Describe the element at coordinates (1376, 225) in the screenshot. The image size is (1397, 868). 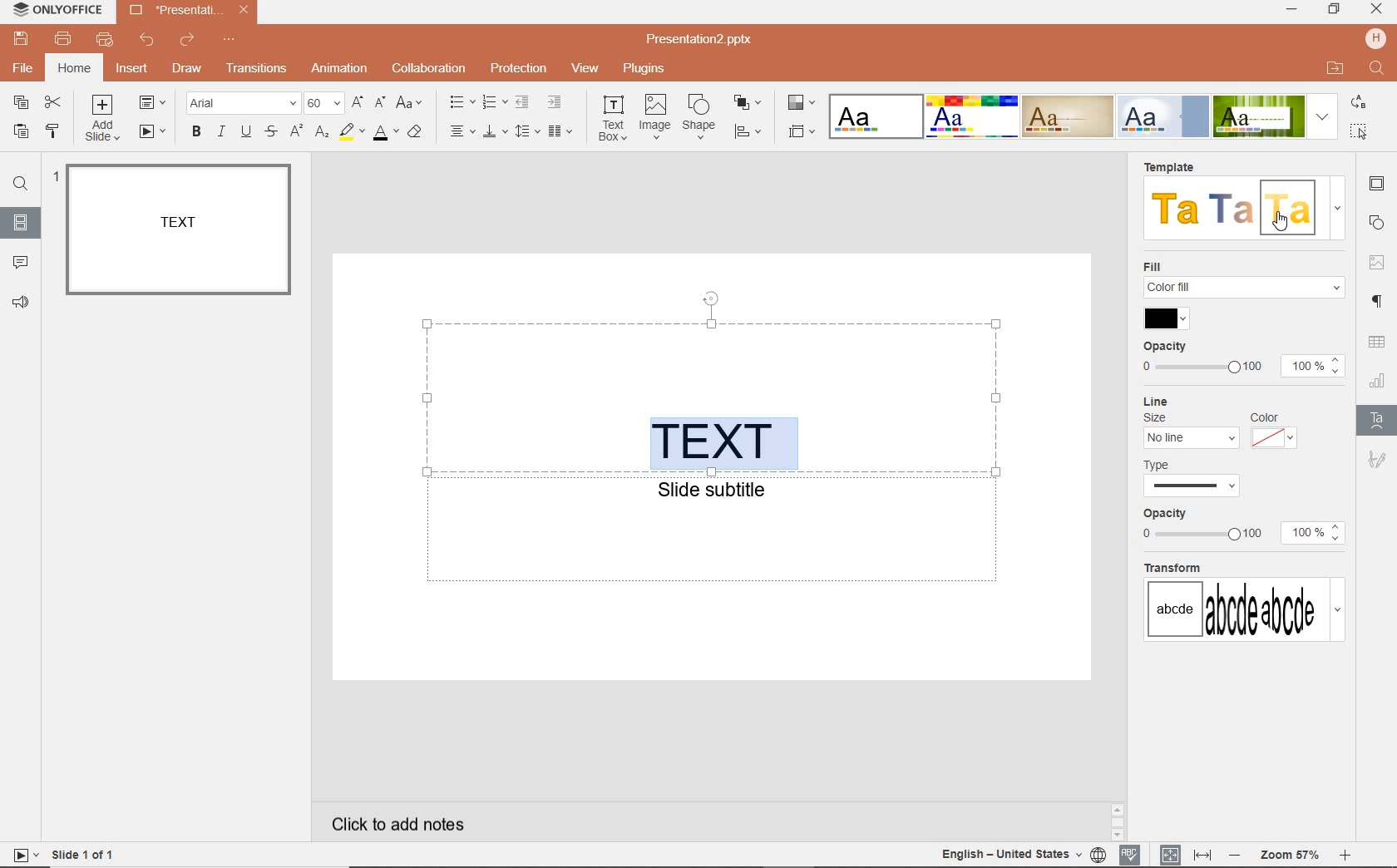
I see `SHAPE SETTINGS` at that location.